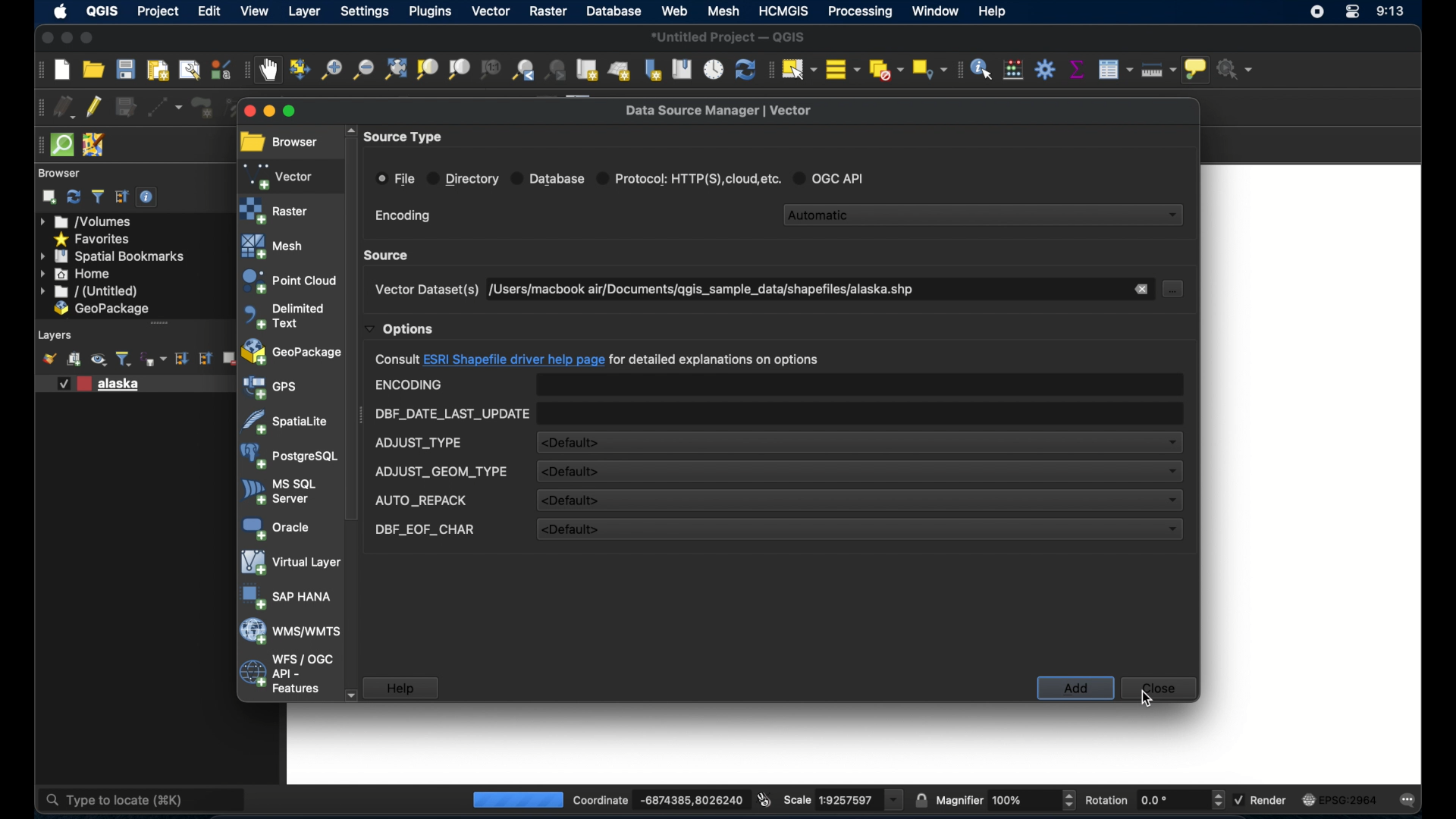  I want to click on info, so click(597, 360).